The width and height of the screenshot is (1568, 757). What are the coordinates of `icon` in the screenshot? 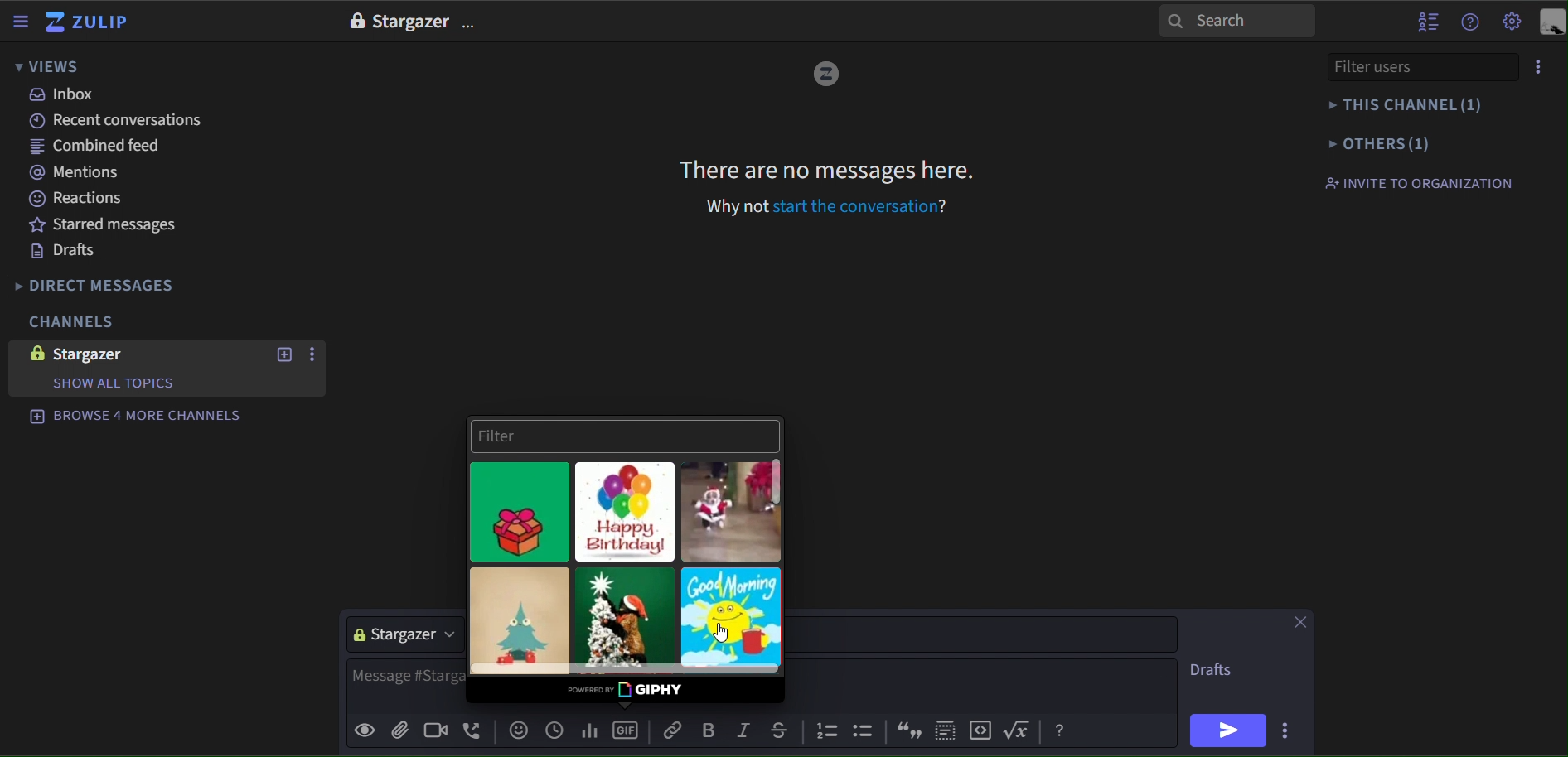 It's located at (1060, 731).